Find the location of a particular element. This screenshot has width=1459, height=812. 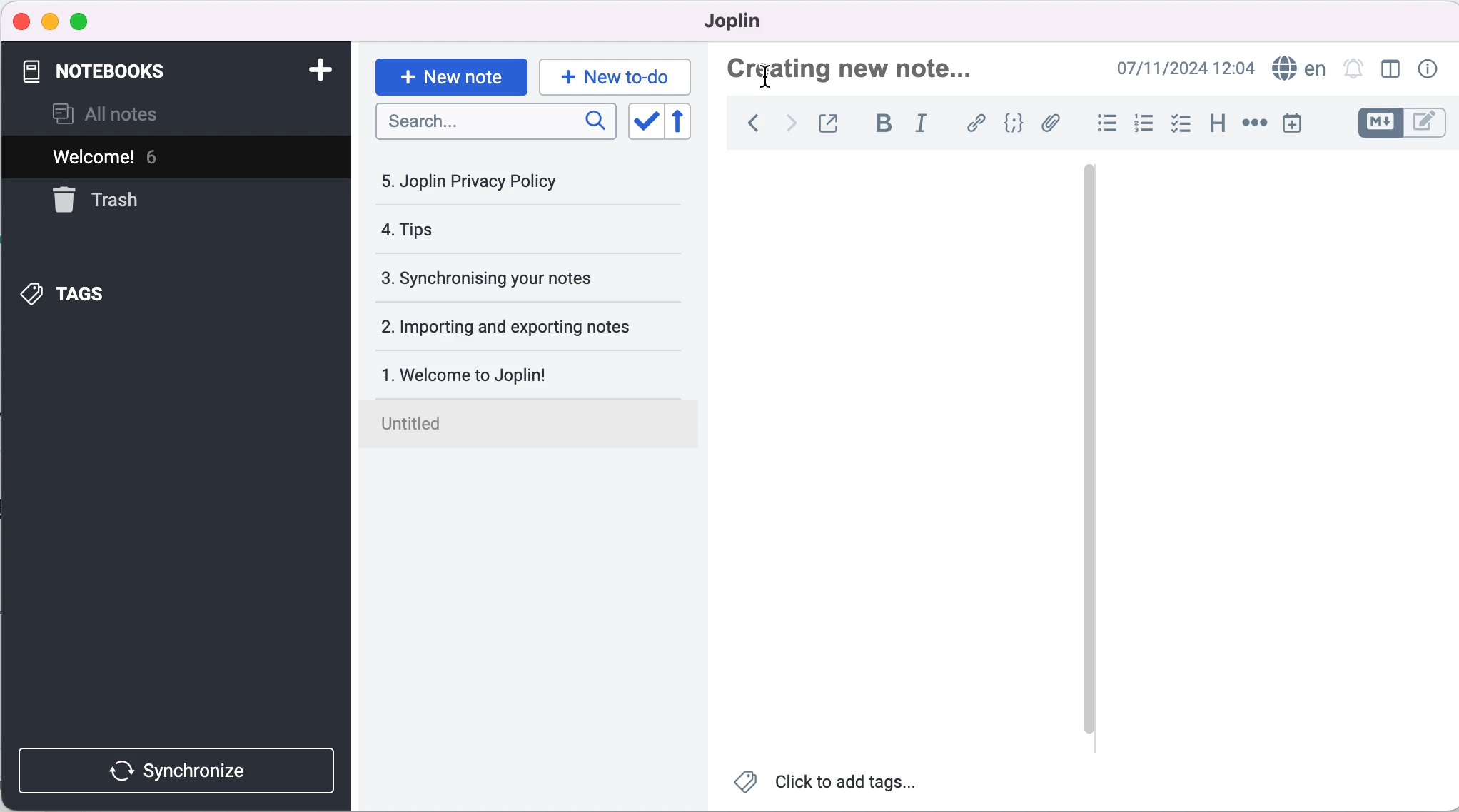

close is located at coordinates (22, 19).